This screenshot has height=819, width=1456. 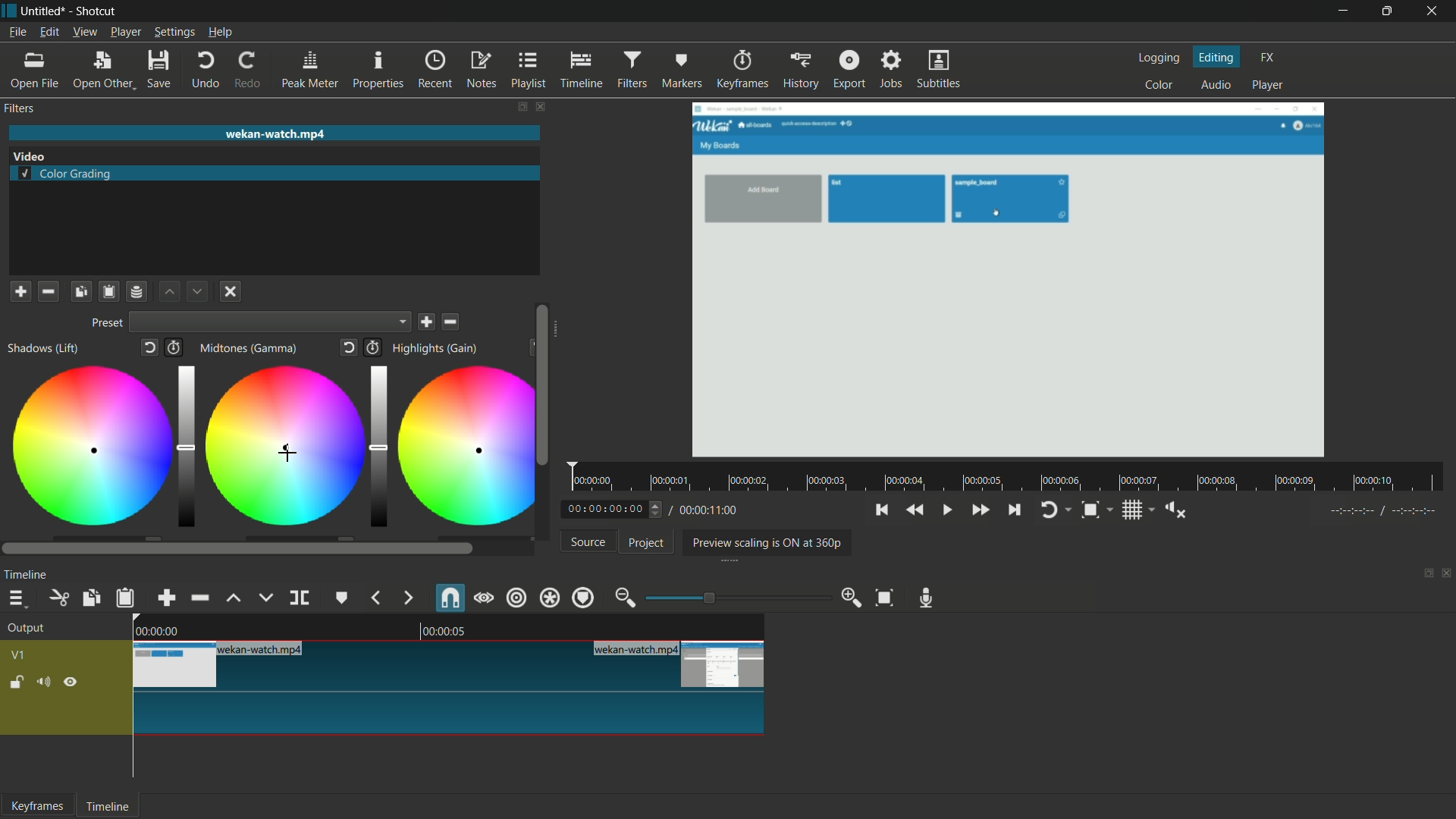 What do you see at coordinates (68, 175) in the screenshot?
I see `color grading` at bounding box center [68, 175].